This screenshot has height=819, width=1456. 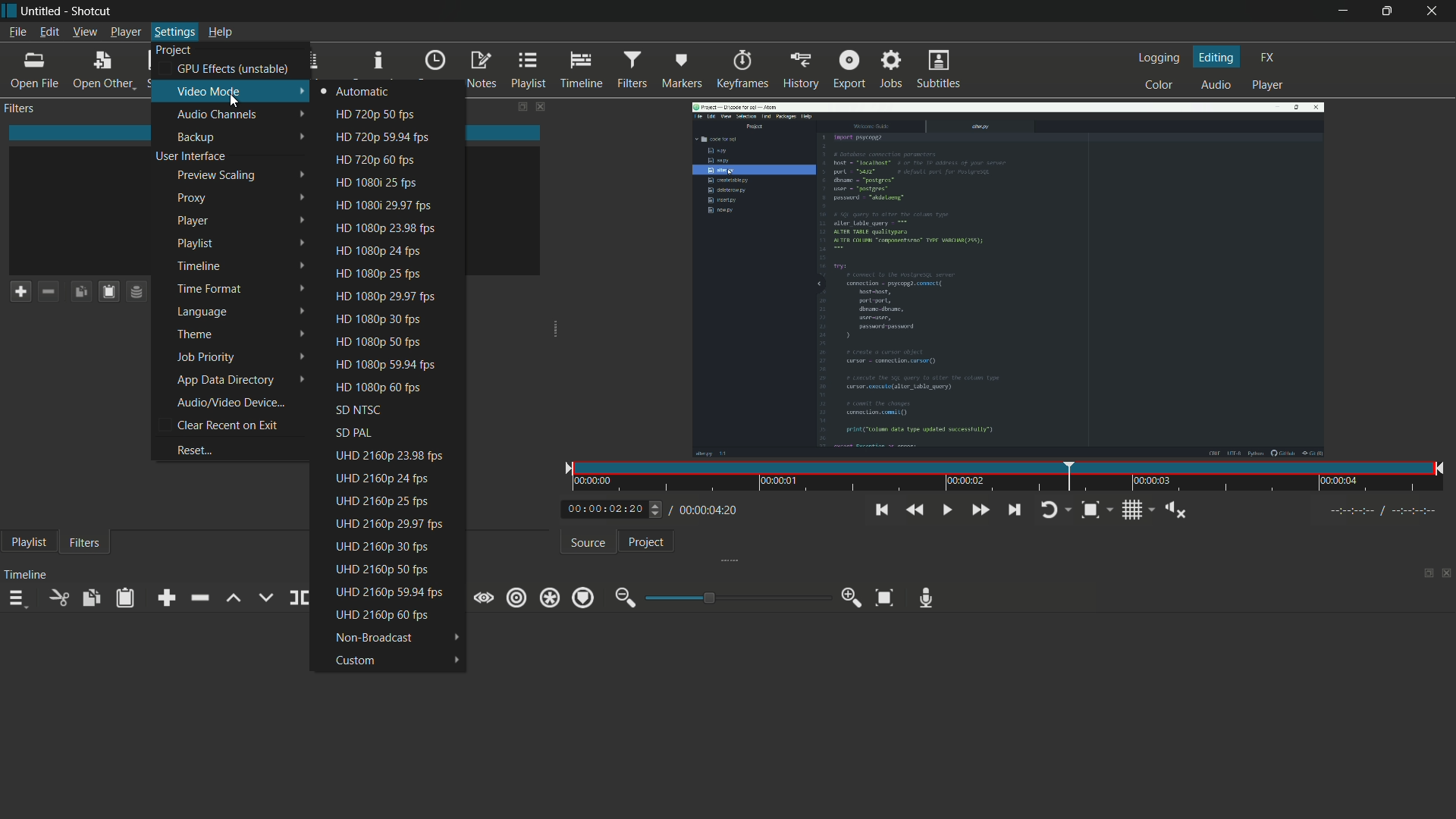 What do you see at coordinates (399, 206) in the screenshot?
I see `hd 1080p 29.97 fps` at bounding box center [399, 206].